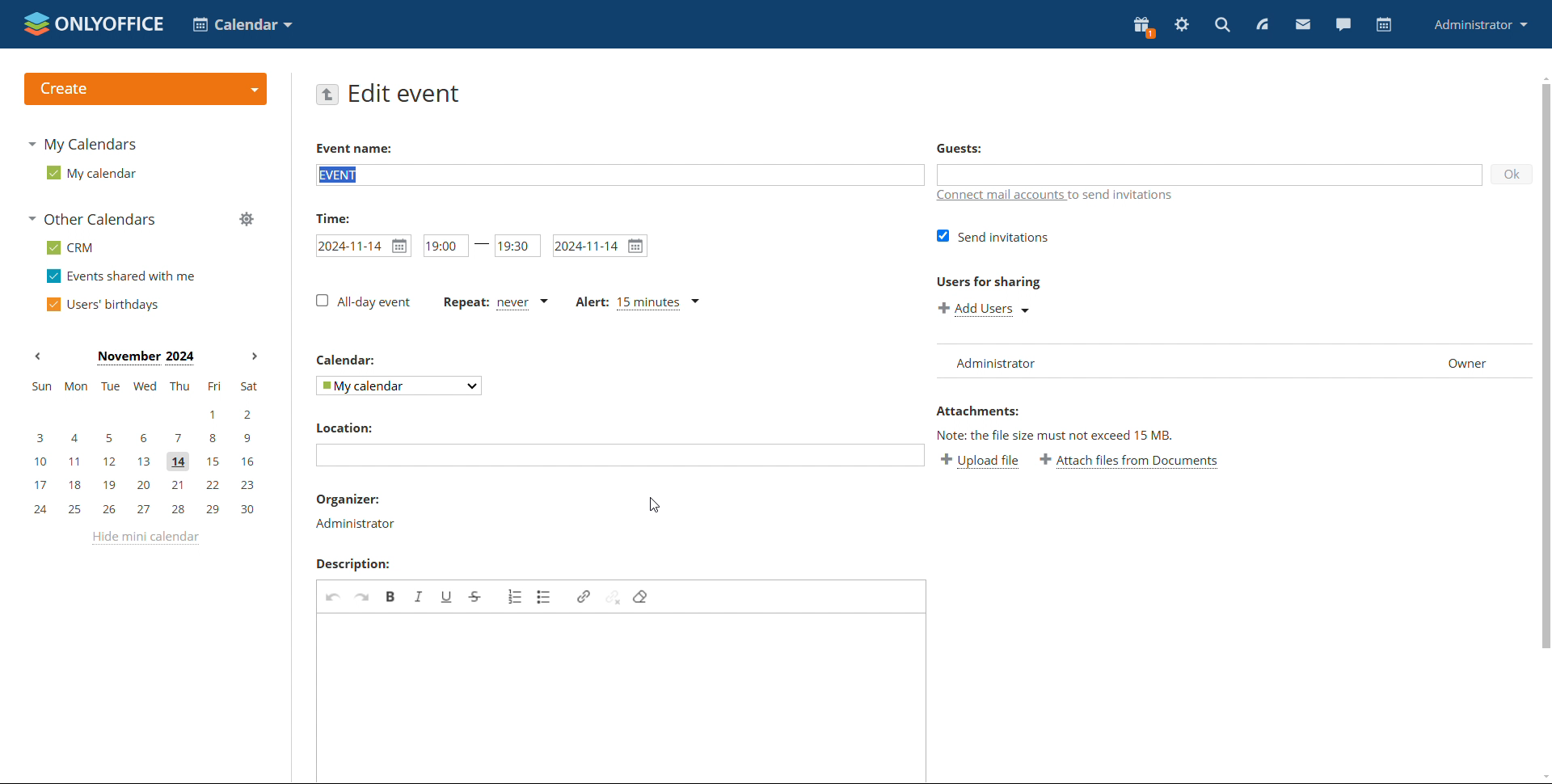  What do you see at coordinates (339, 429) in the screenshot?
I see `Location` at bounding box center [339, 429].